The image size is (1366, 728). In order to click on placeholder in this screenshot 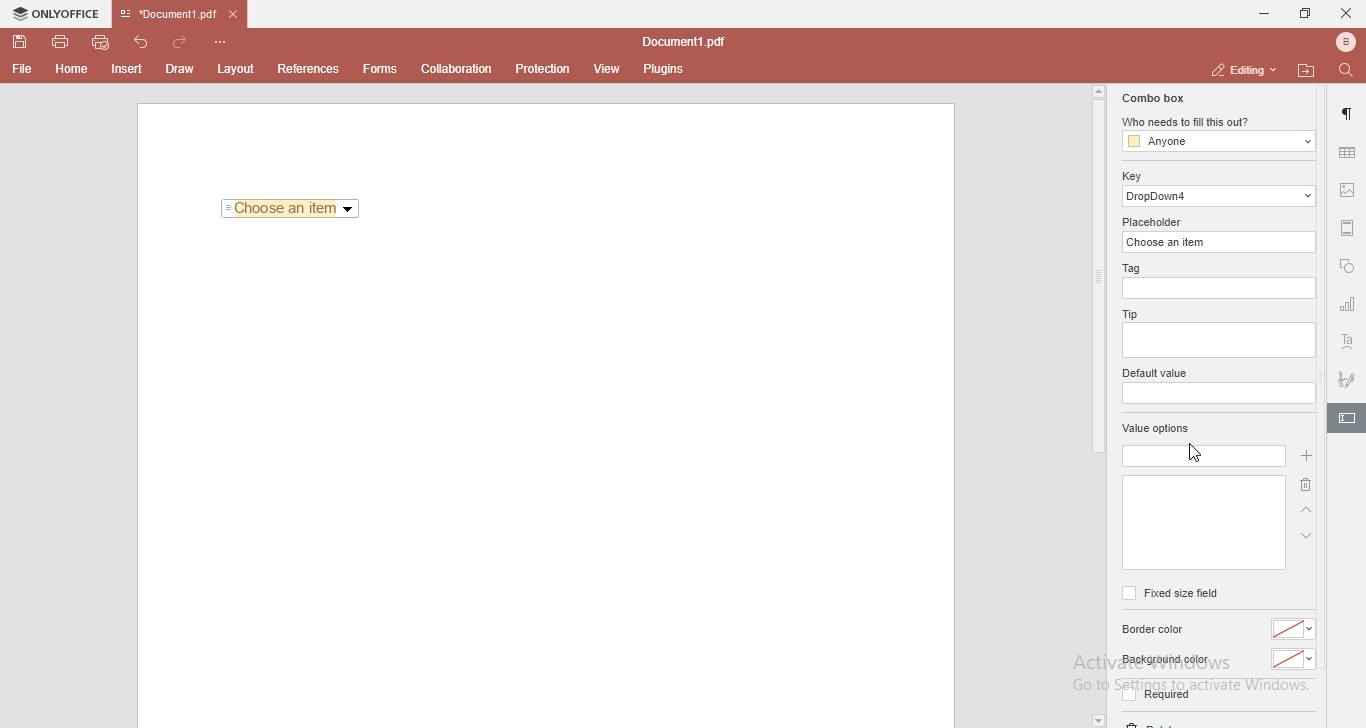, I will do `click(1155, 222)`.